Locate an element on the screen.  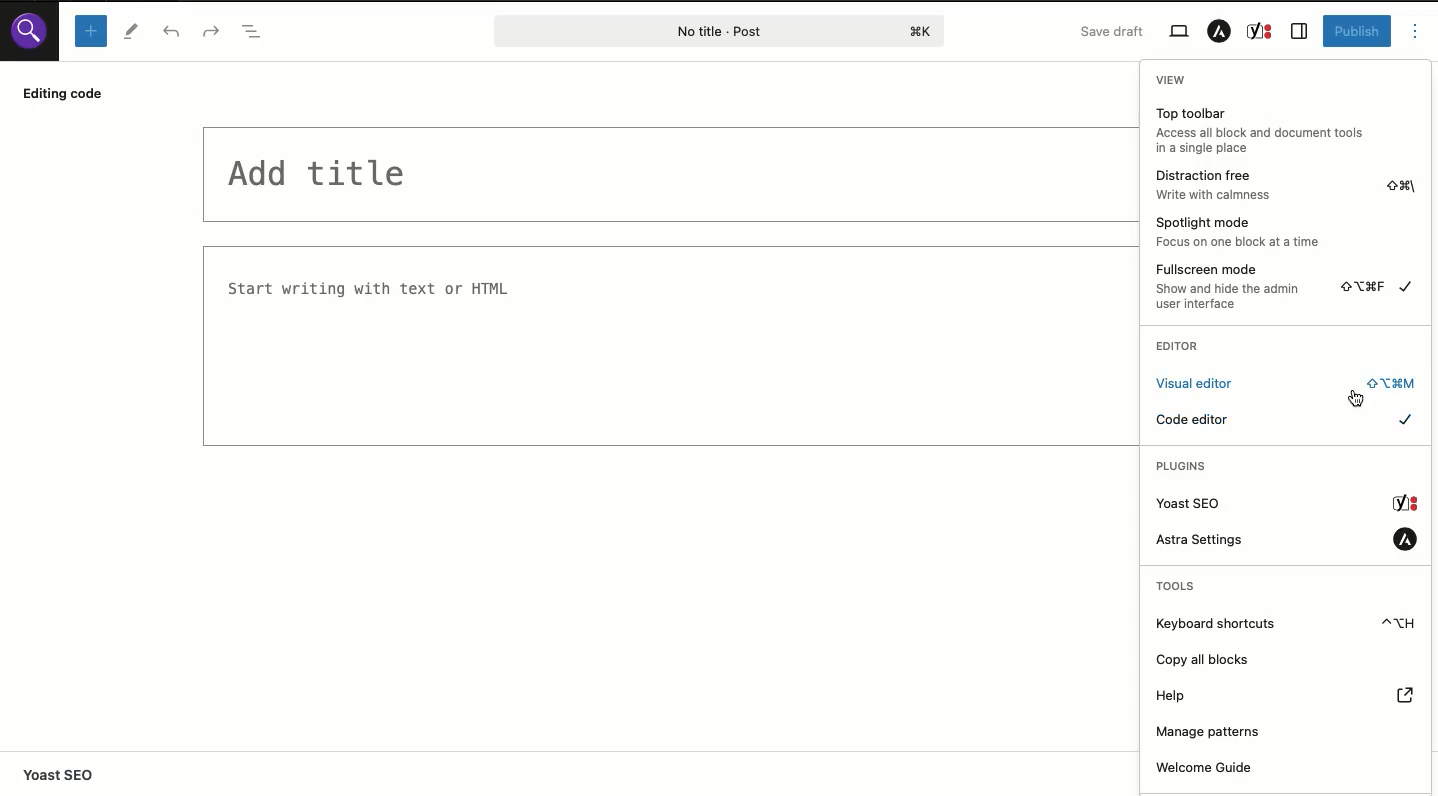
Code editor is located at coordinates (1081, 282).